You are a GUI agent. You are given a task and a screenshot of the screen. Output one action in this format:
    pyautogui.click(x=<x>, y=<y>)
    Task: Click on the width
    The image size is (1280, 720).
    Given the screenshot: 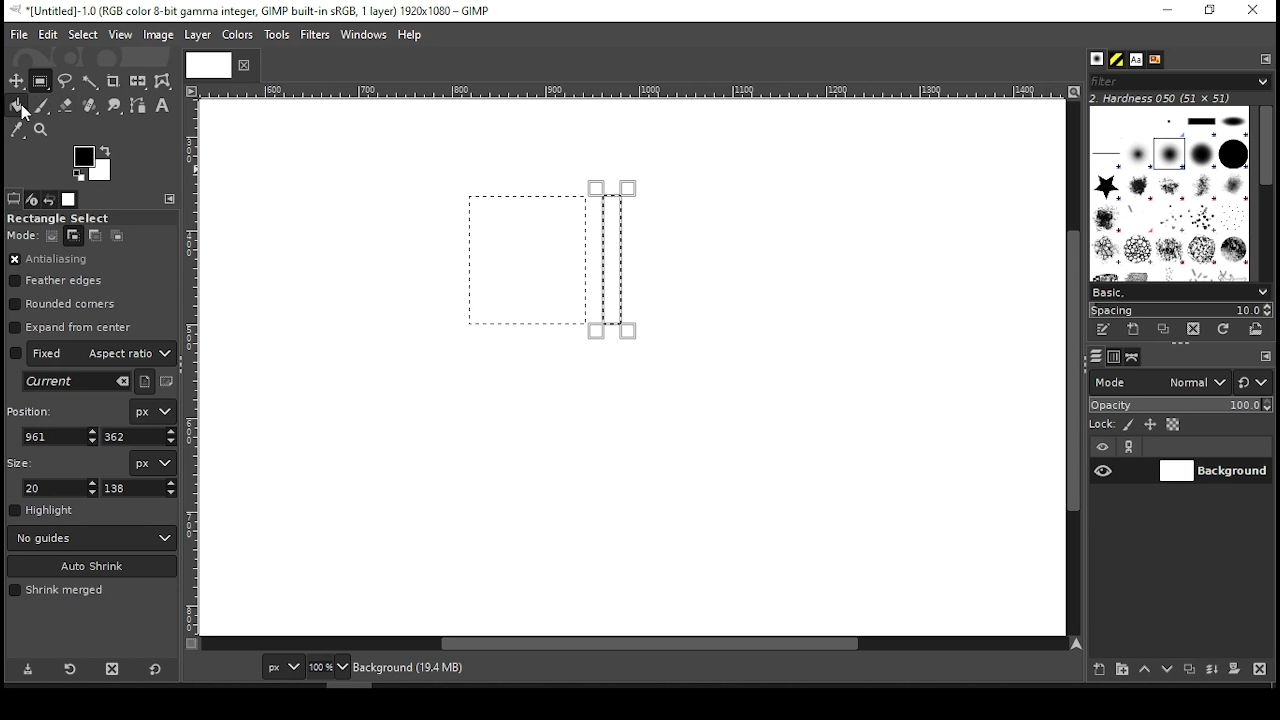 What is the action you would take?
    pyautogui.click(x=62, y=488)
    